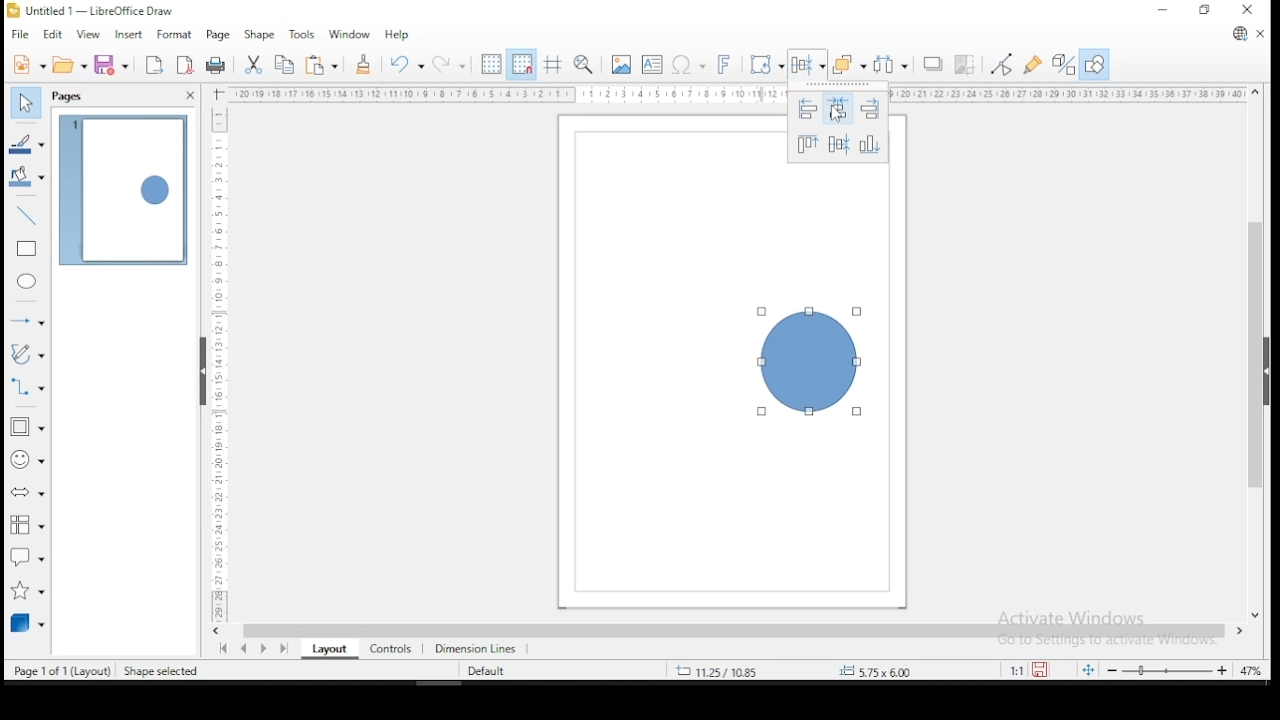  I want to click on transformations, so click(764, 62).